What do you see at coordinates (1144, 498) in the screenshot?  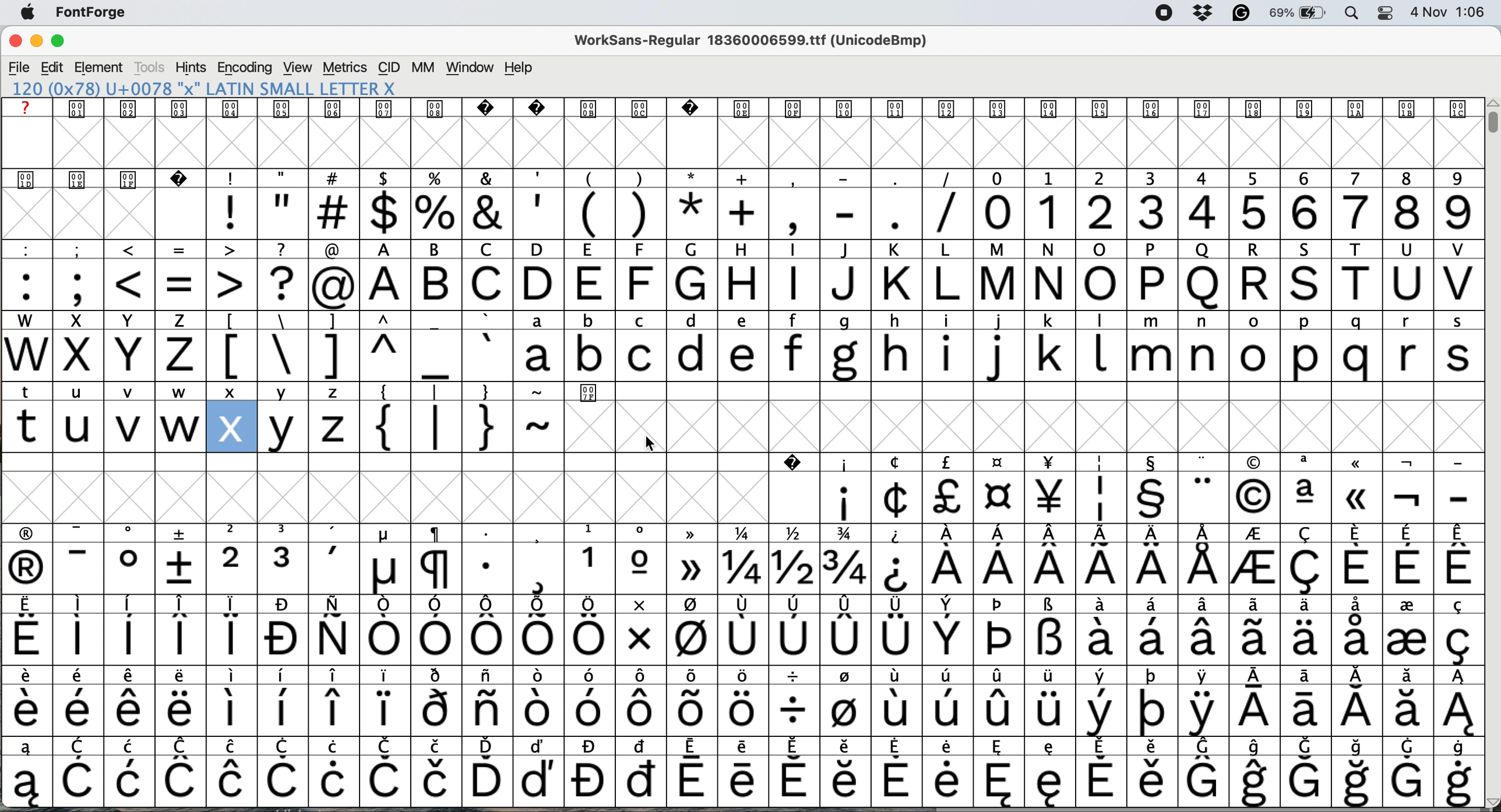 I see `special characters` at bounding box center [1144, 498].